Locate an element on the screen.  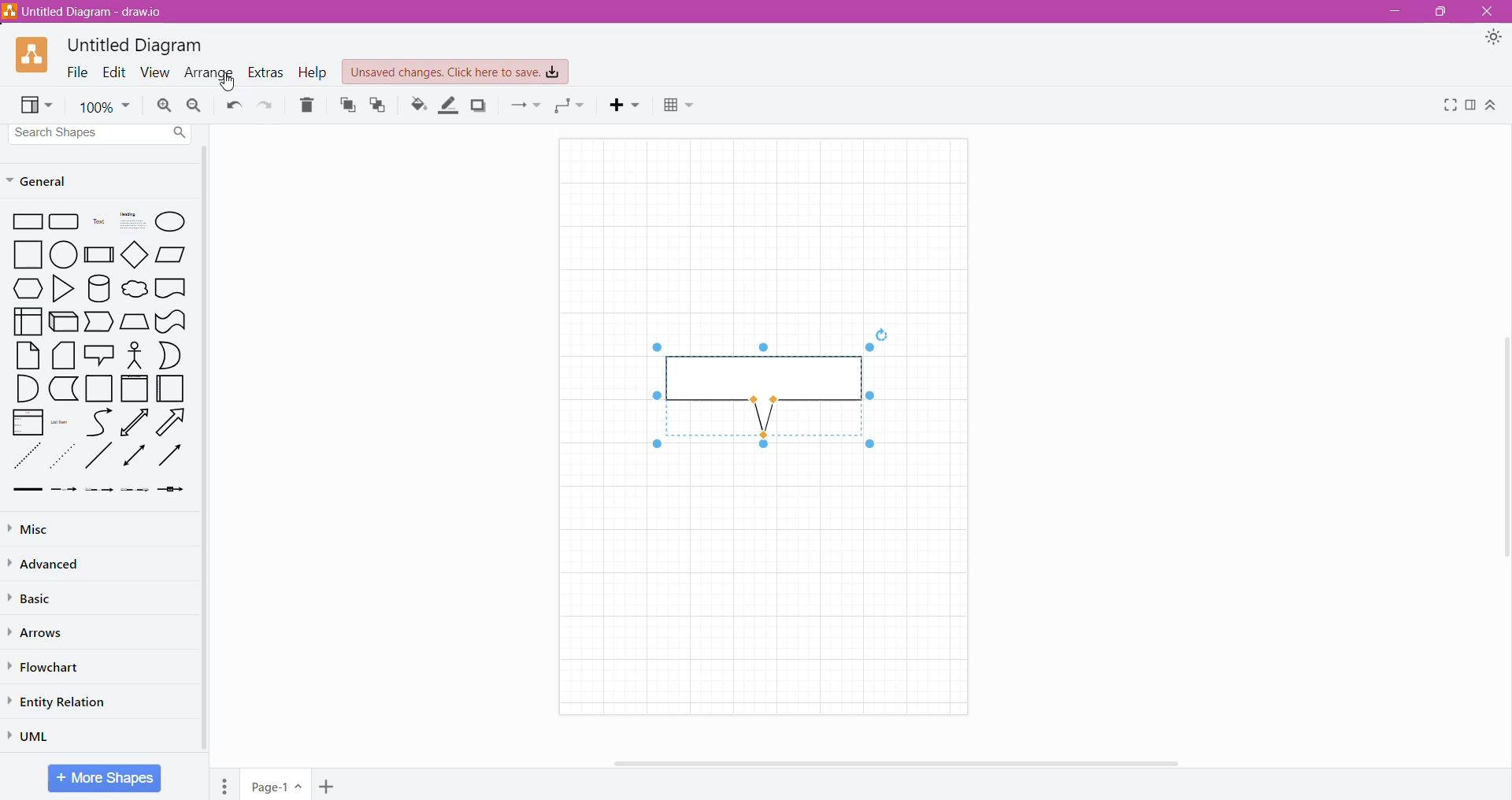
document is located at coordinates (172, 287).